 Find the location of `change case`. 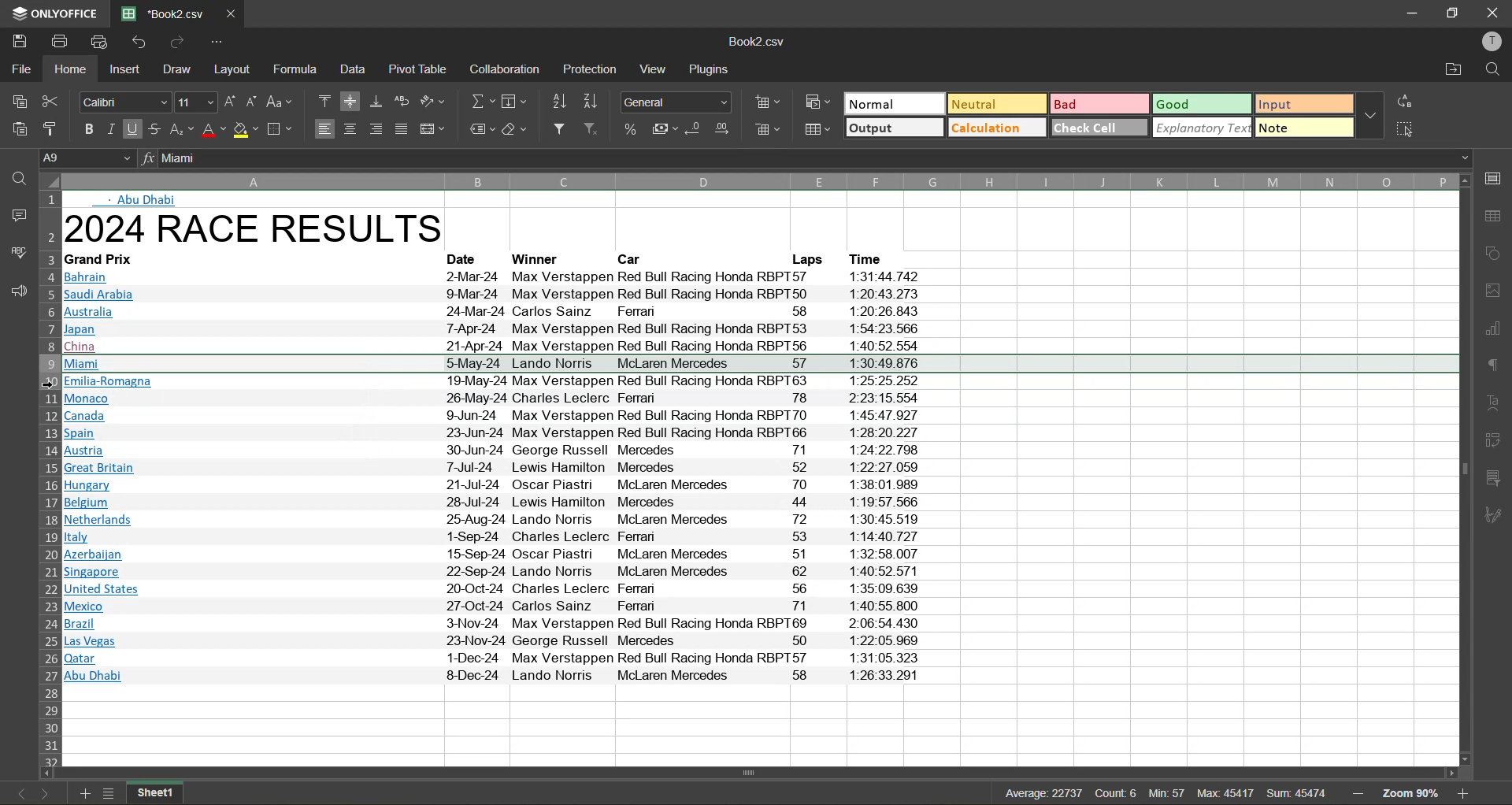

change case is located at coordinates (282, 102).